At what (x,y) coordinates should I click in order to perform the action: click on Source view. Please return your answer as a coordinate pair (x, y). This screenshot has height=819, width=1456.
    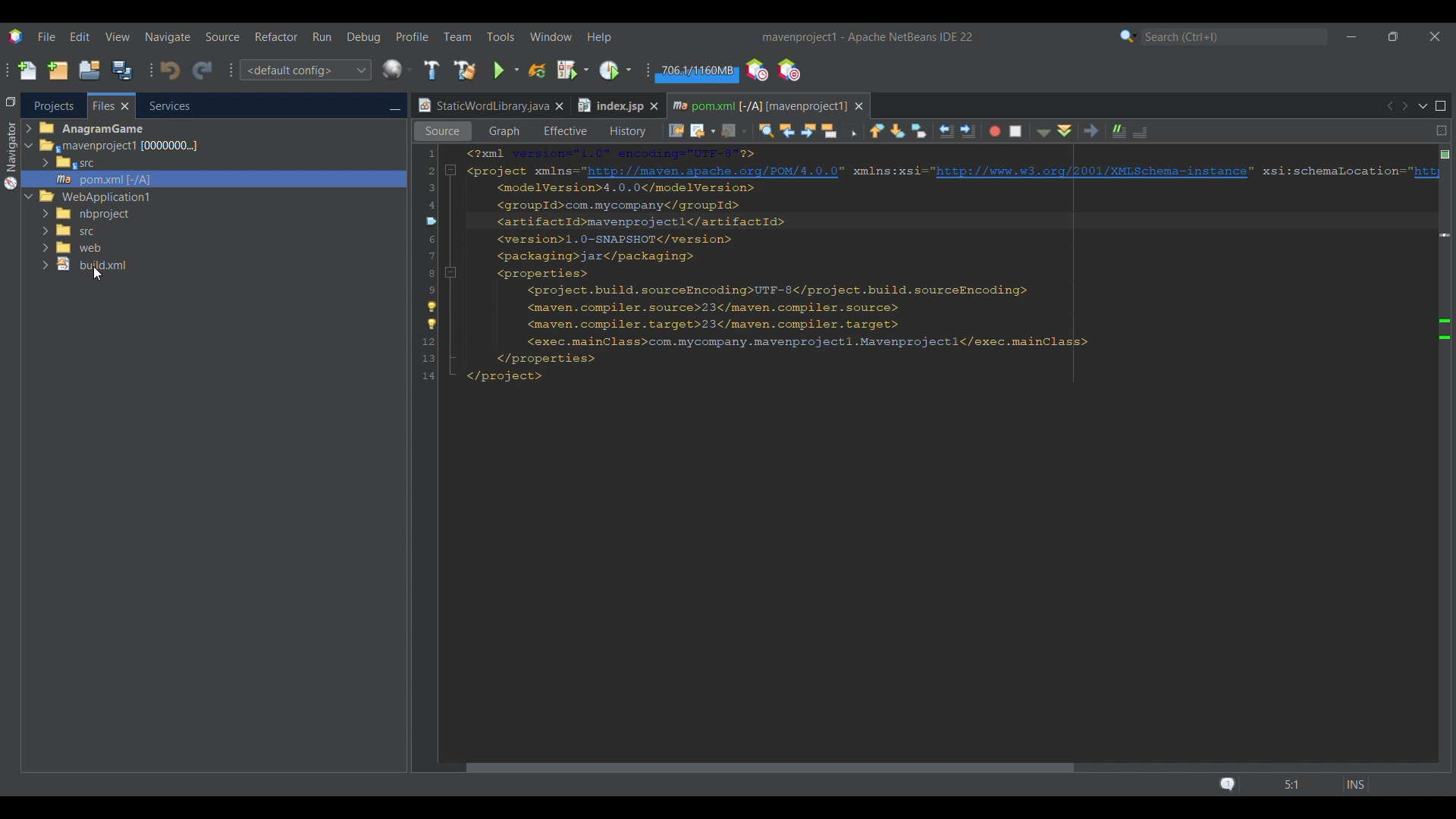
    Looking at the image, I should click on (439, 131).